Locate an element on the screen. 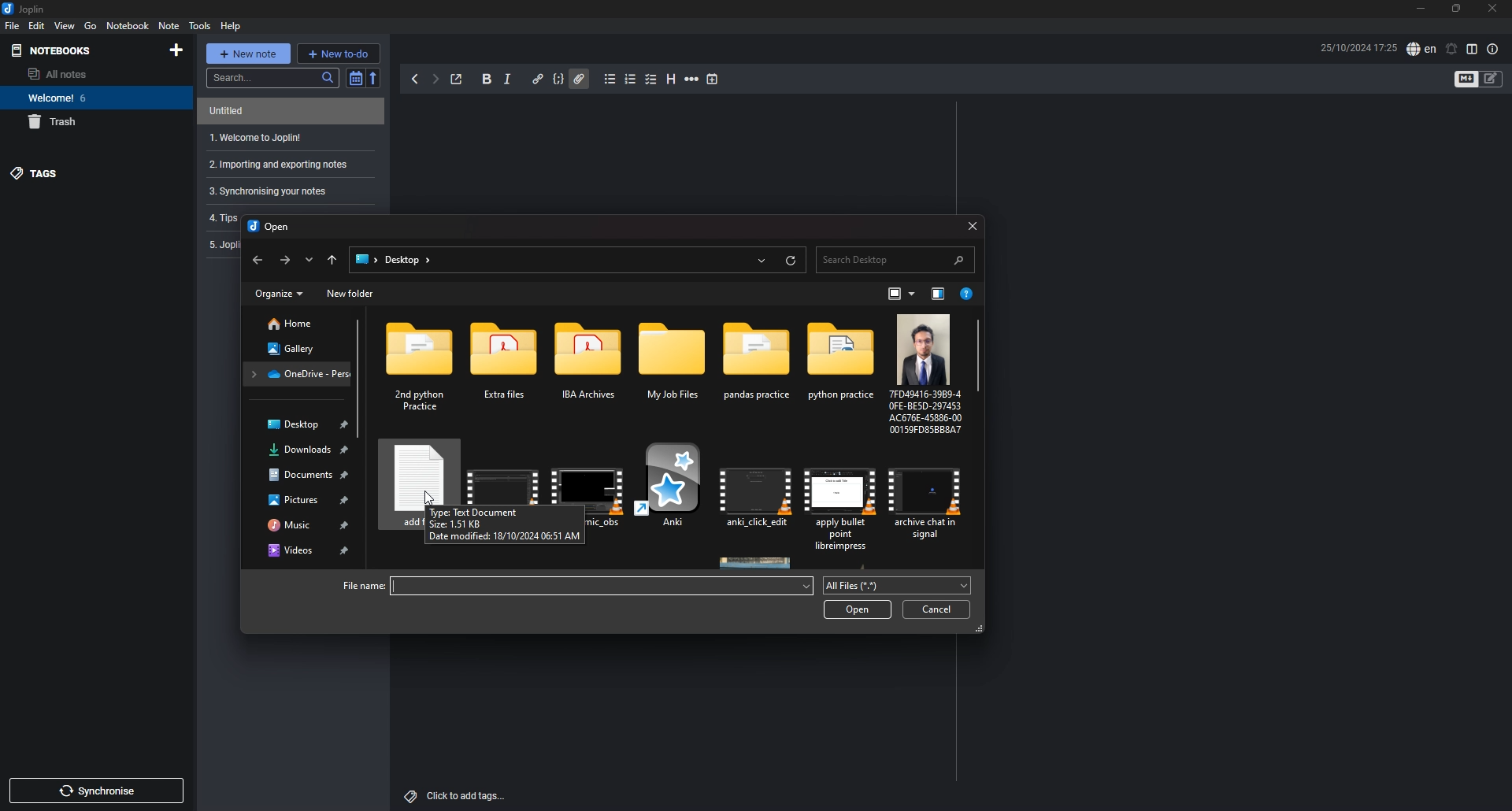  Cursor is located at coordinates (431, 497).